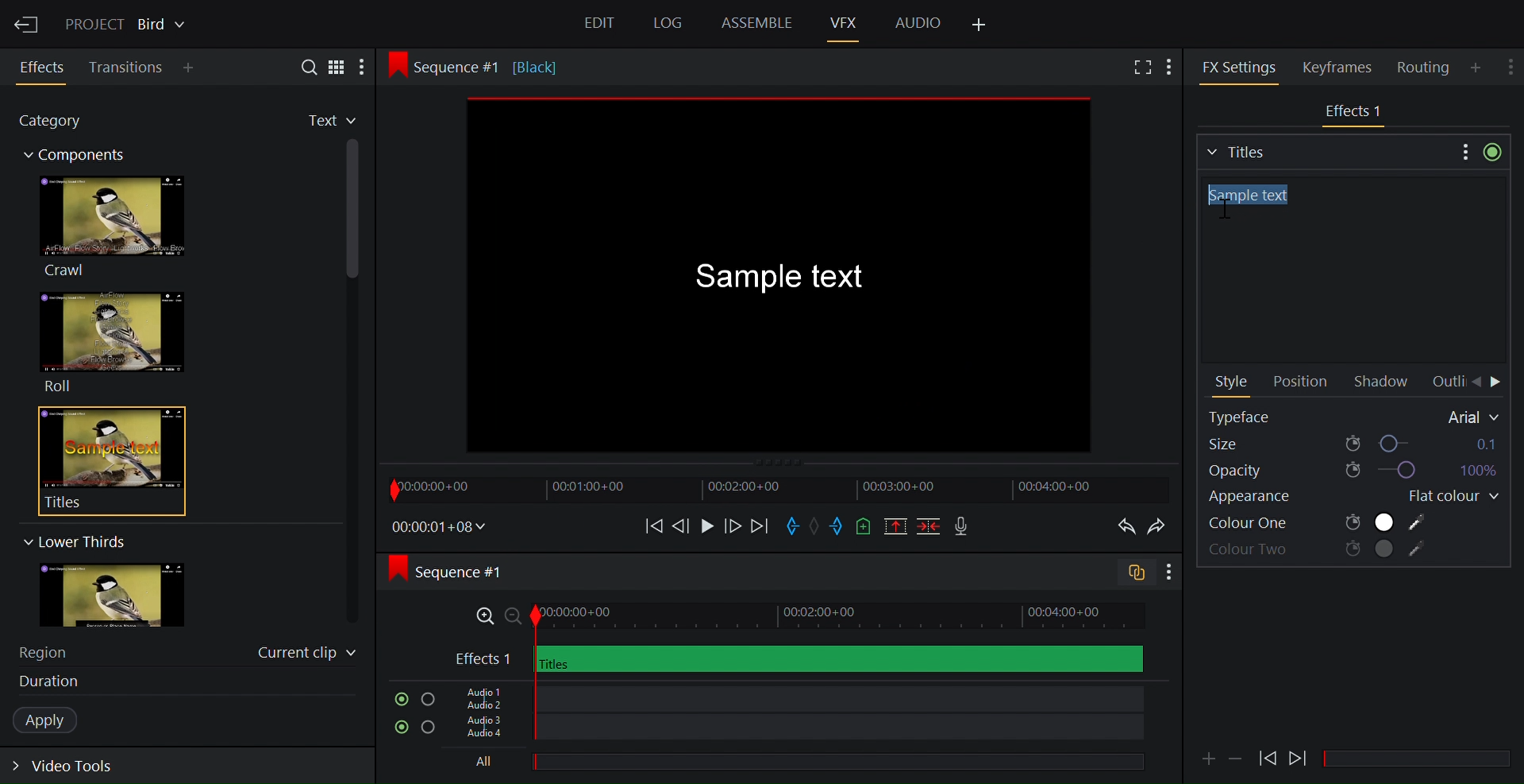 This screenshot has width=1524, height=784. What do you see at coordinates (128, 22) in the screenshot?
I see `Show/Change current project details` at bounding box center [128, 22].